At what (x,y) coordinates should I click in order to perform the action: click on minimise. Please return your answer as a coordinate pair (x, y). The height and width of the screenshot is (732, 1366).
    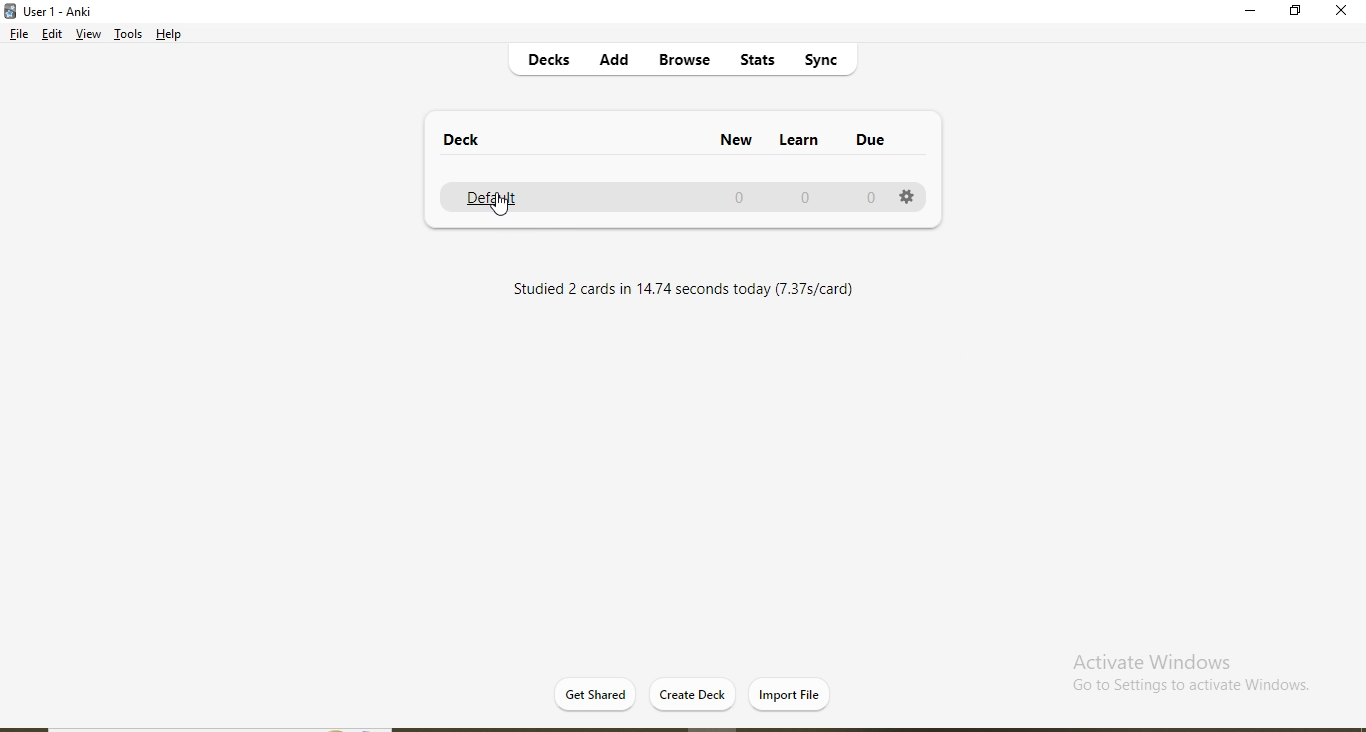
    Looking at the image, I should click on (1252, 14).